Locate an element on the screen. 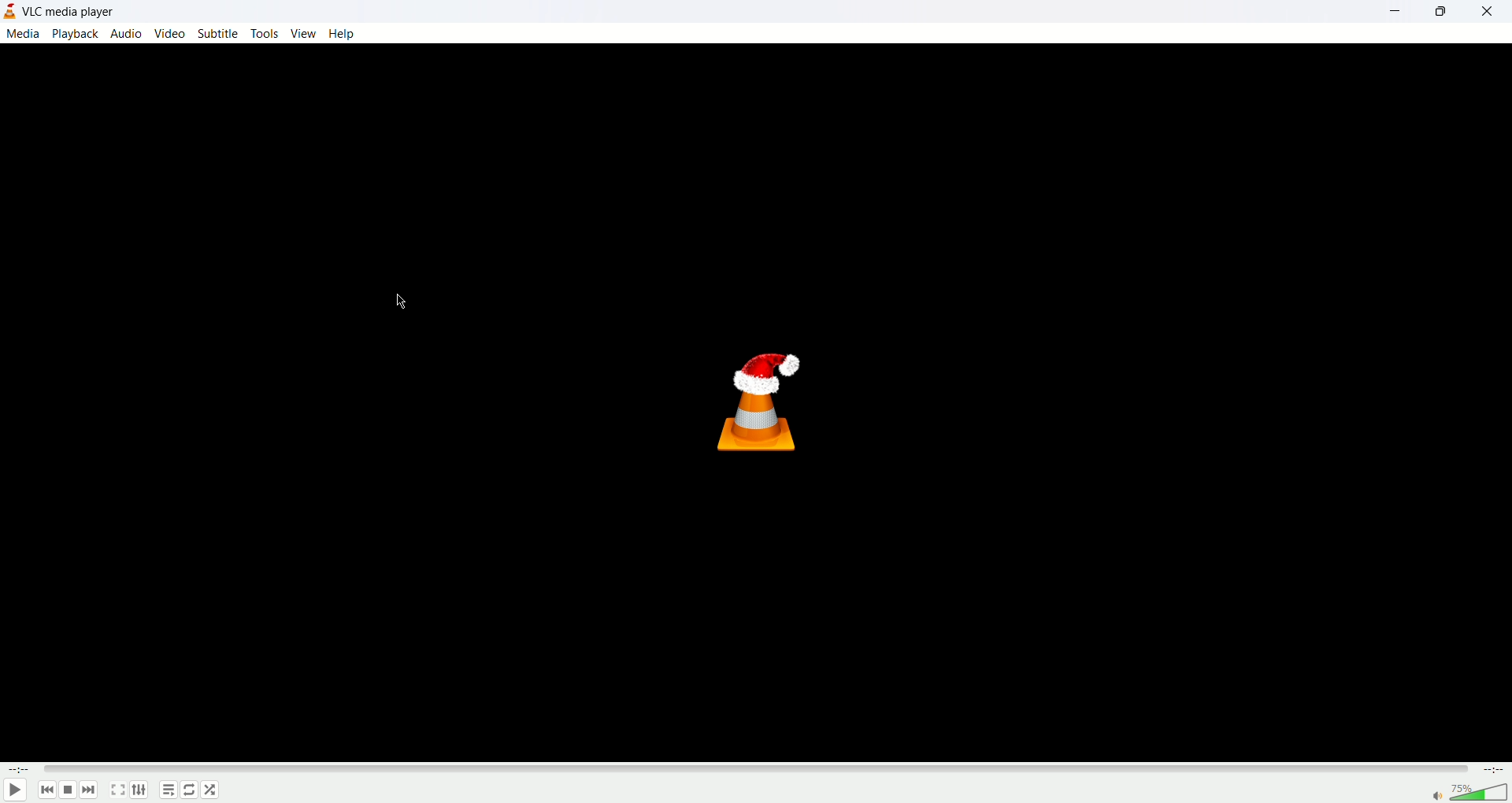 The width and height of the screenshot is (1512, 803). tools is located at coordinates (264, 33).